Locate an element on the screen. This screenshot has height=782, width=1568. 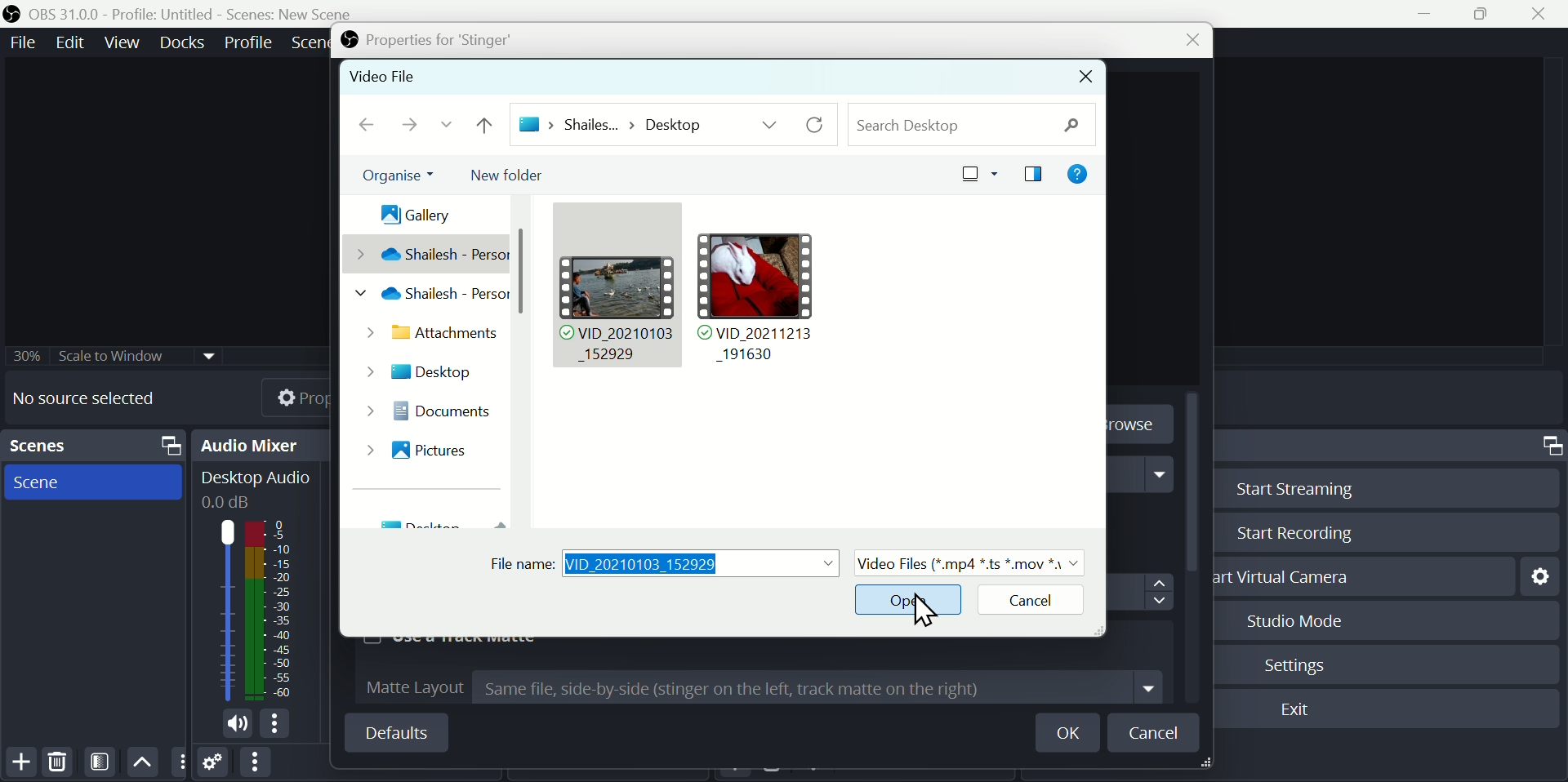
Audio bar is located at coordinates (253, 610).